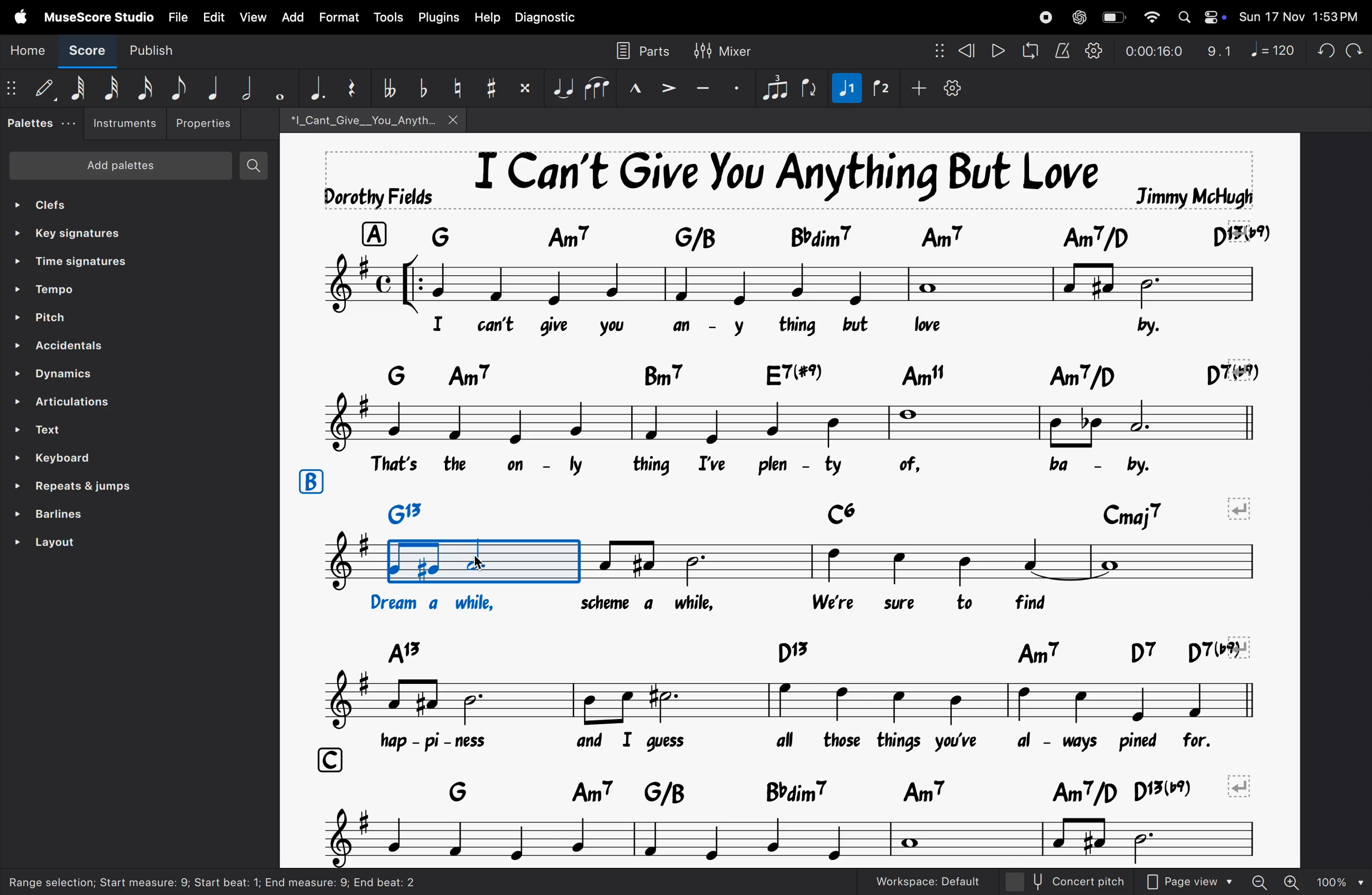 The width and height of the screenshot is (1372, 895). What do you see at coordinates (128, 123) in the screenshot?
I see `instruements` at bounding box center [128, 123].